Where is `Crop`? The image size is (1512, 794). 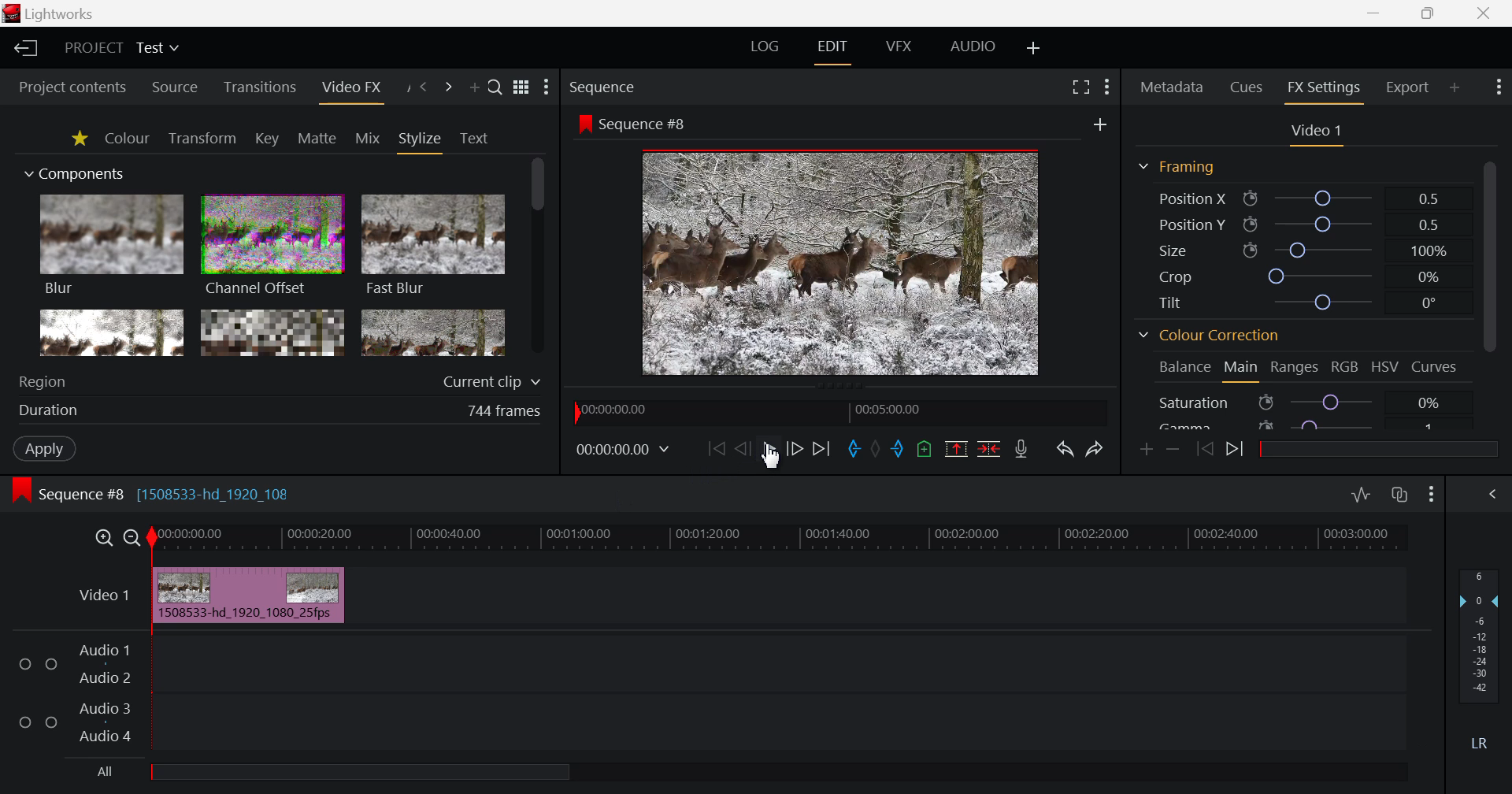 Crop is located at coordinates (1299, 275).